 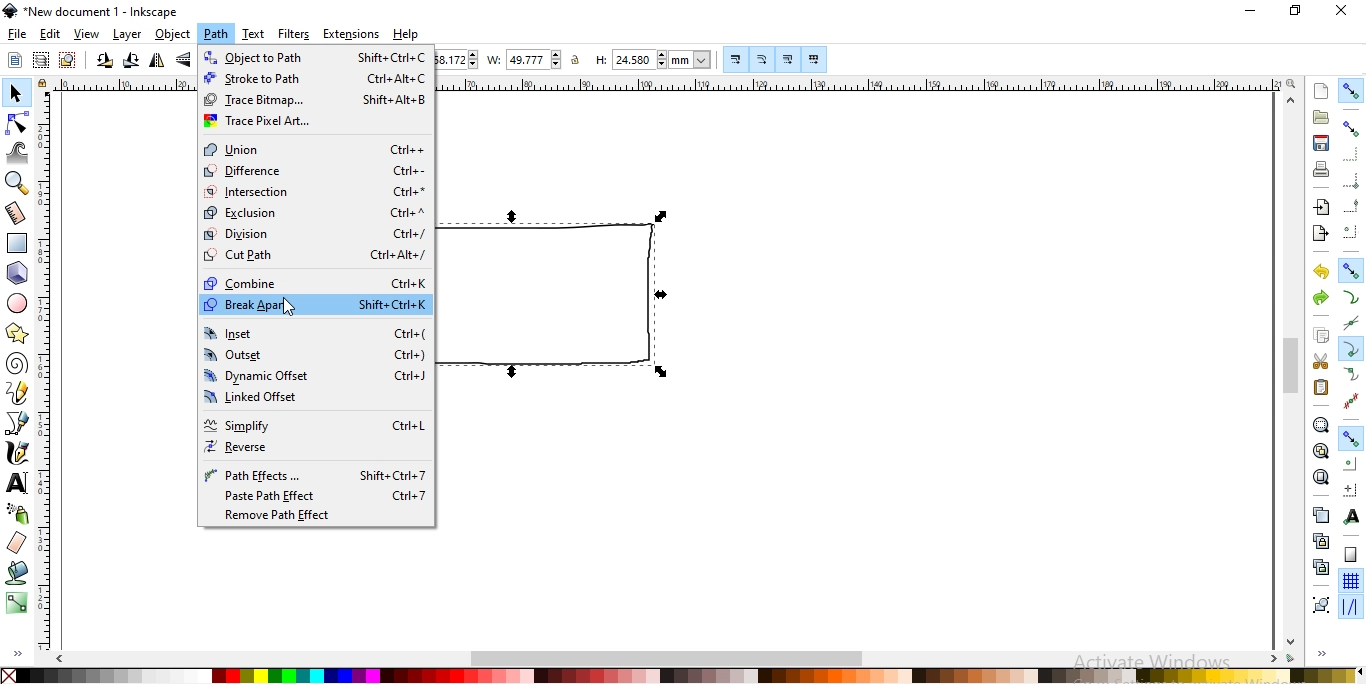 I want to click on intersection, so click(x=316, y=192).